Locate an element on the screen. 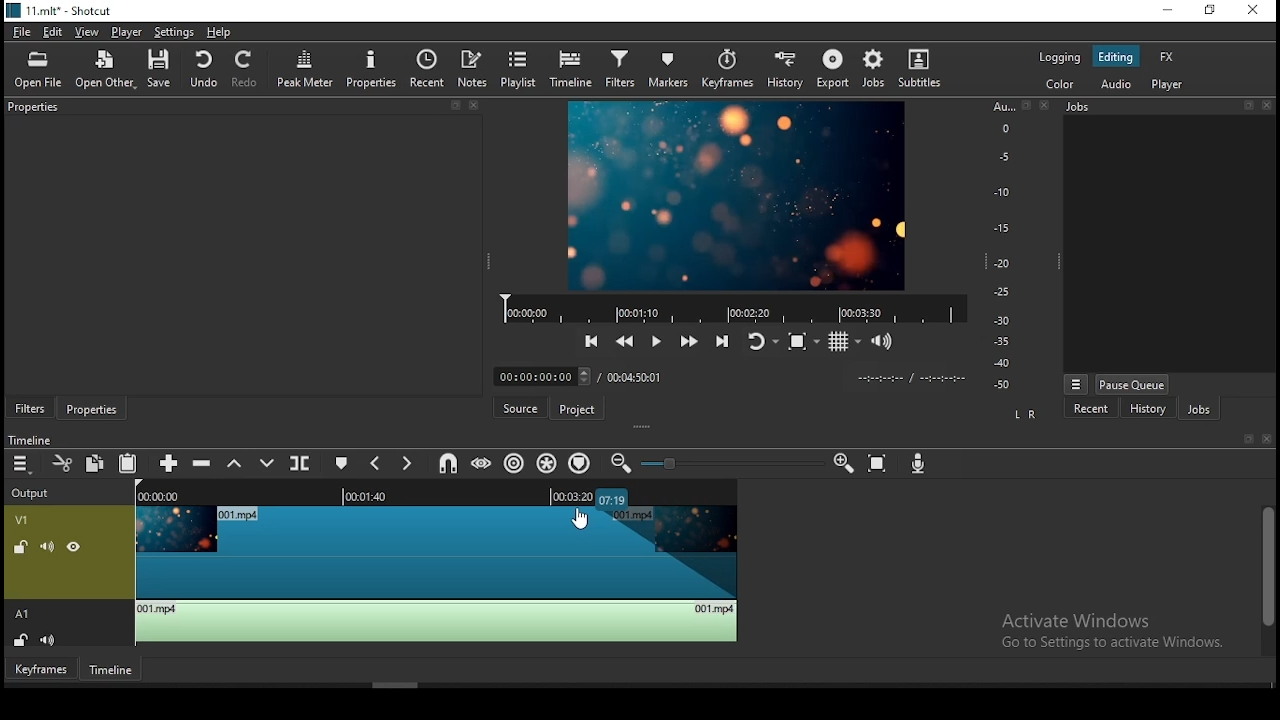  properties is located at coordinates (92, 408).